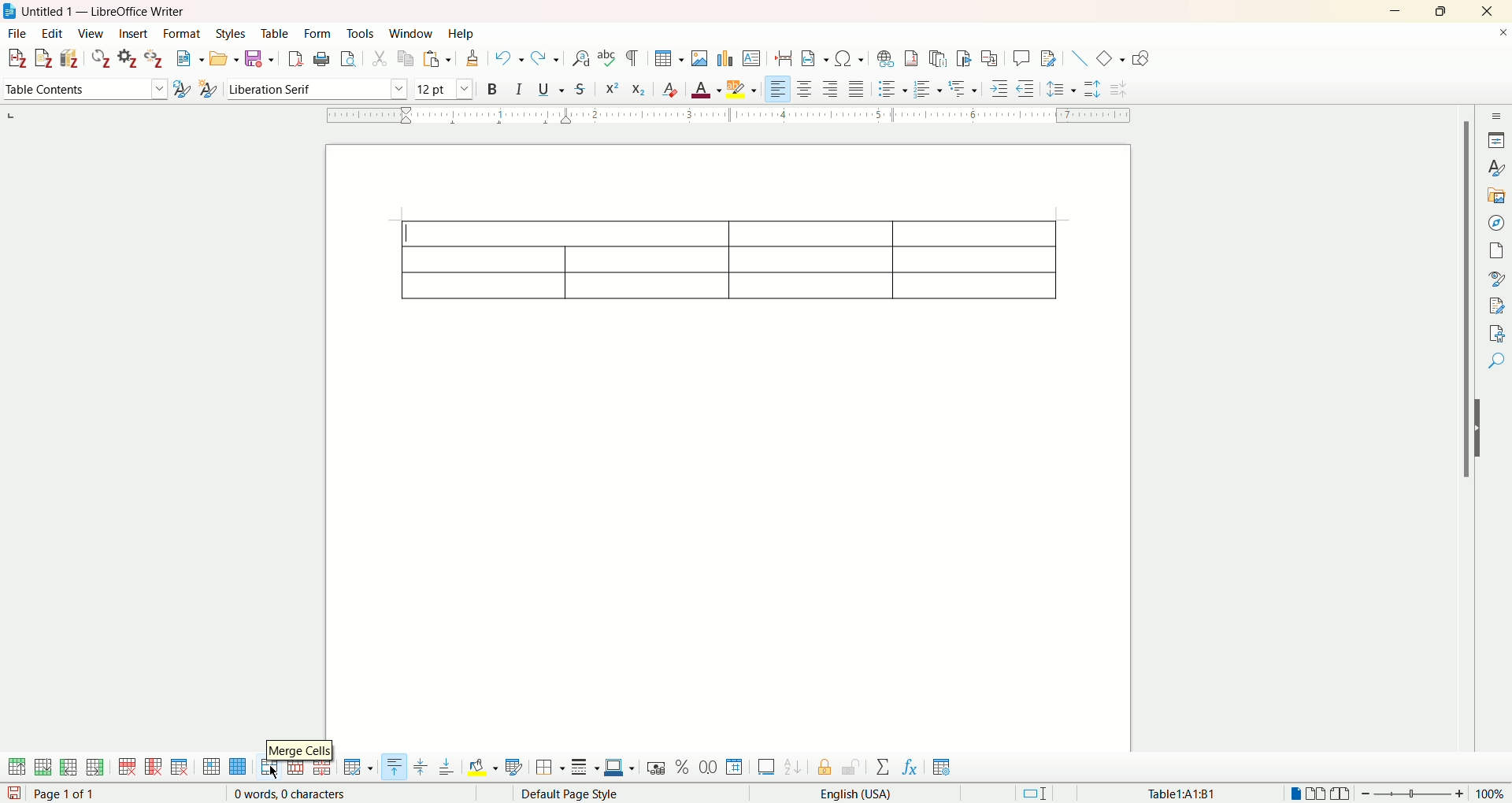  What do you see at coordinates (154, 58) in the screenshot?
I see `unlink citations` at bounding box center [154, 58].